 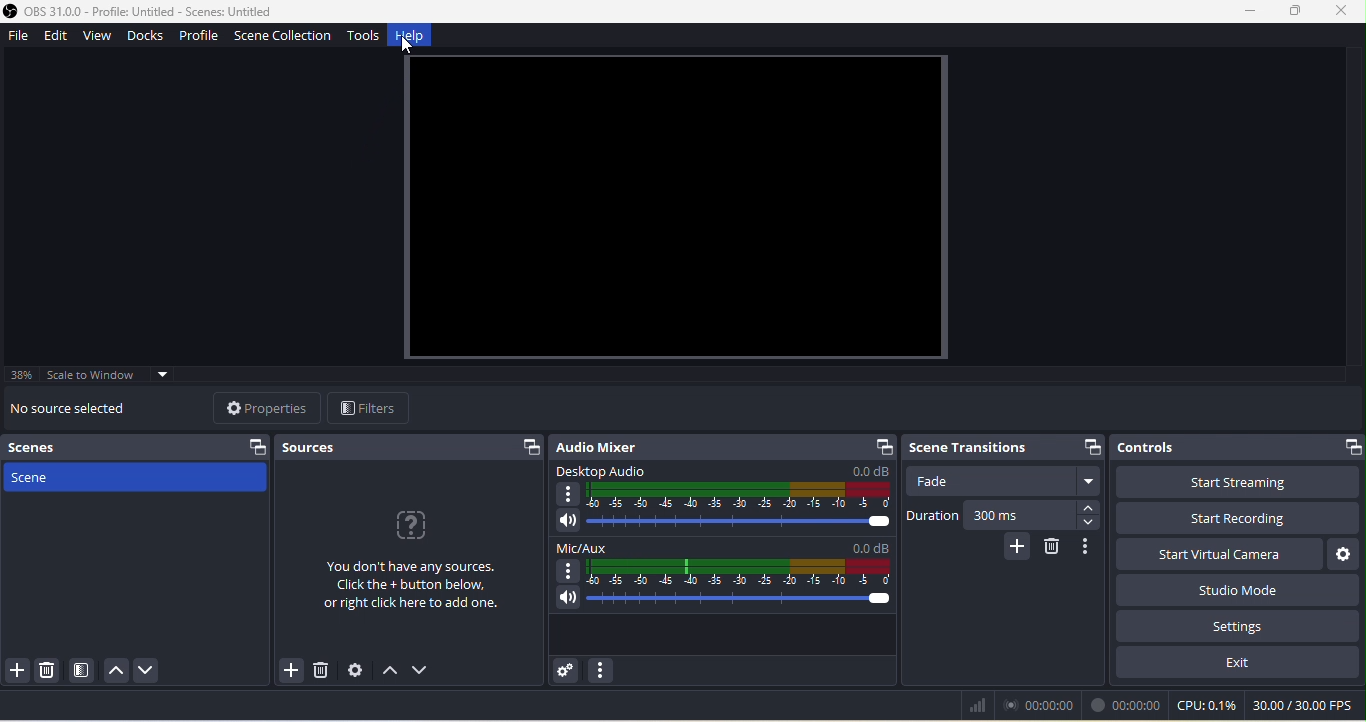 What do you see at coordinates (976, 705) in the screenshot?
I see `bars` at bounding box center [976, 705].